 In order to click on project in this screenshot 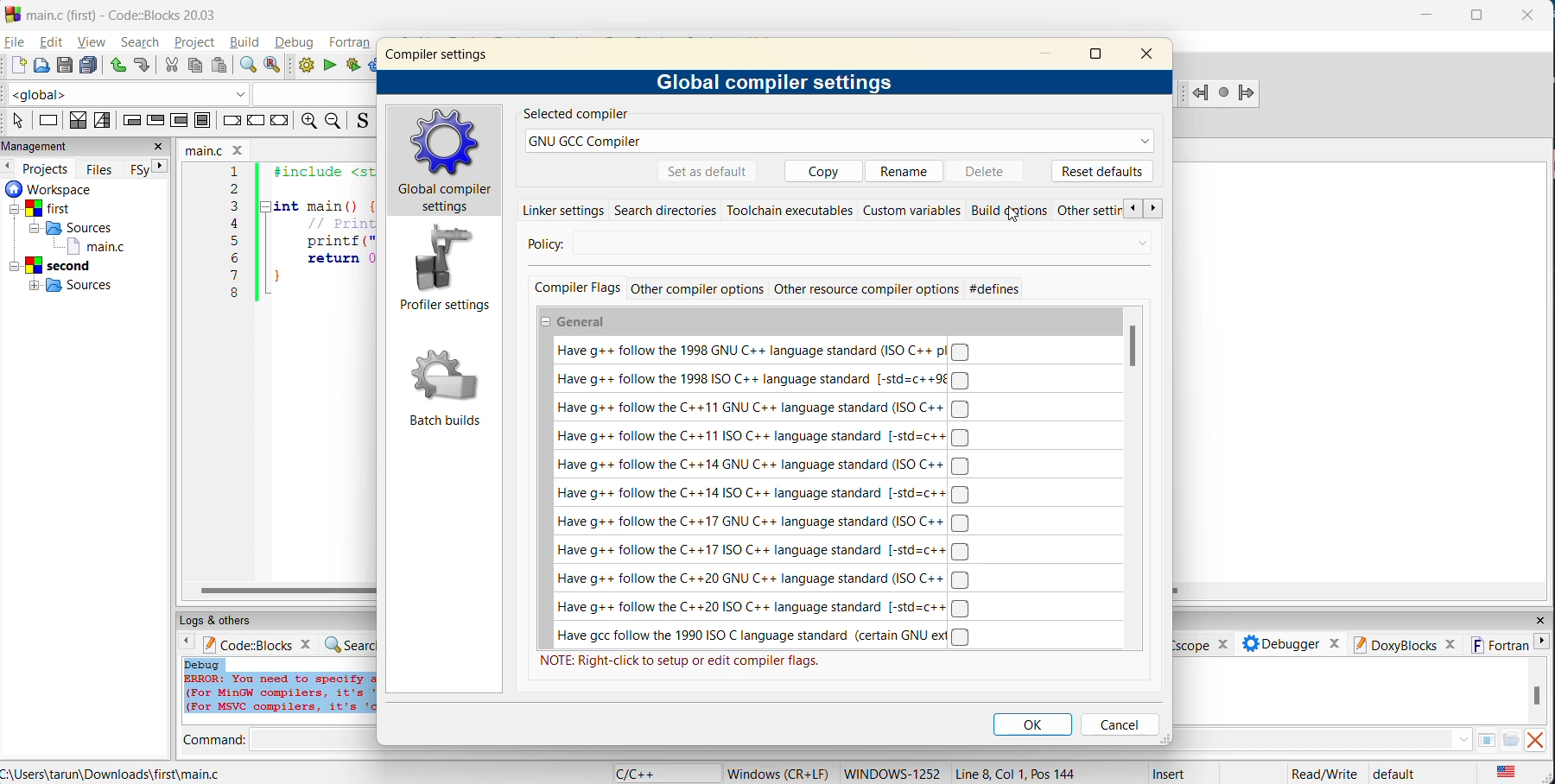, I will do `click(195, 44)`.